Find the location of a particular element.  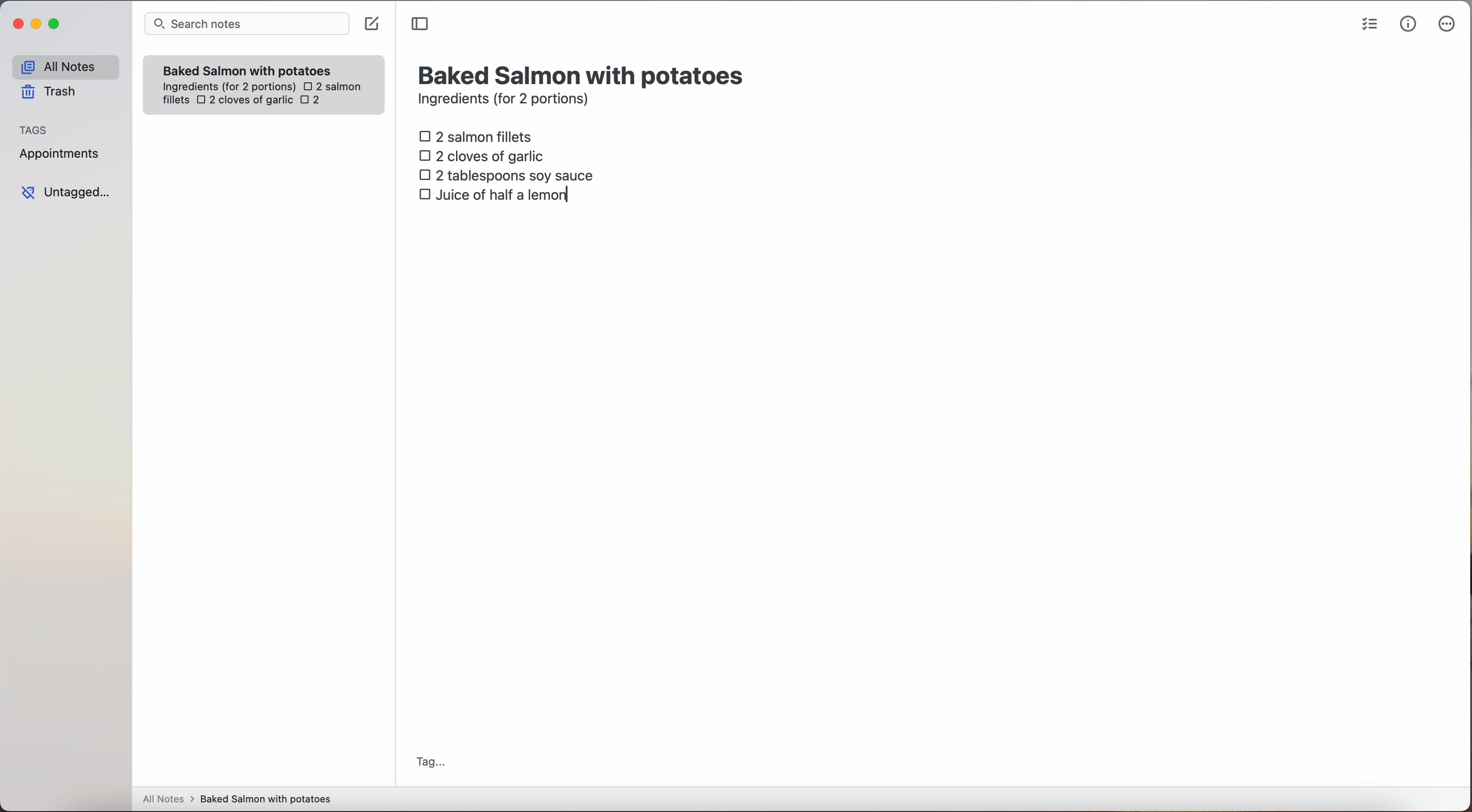

ingredients (for 2 portions) is located at coordinates (507, 101).